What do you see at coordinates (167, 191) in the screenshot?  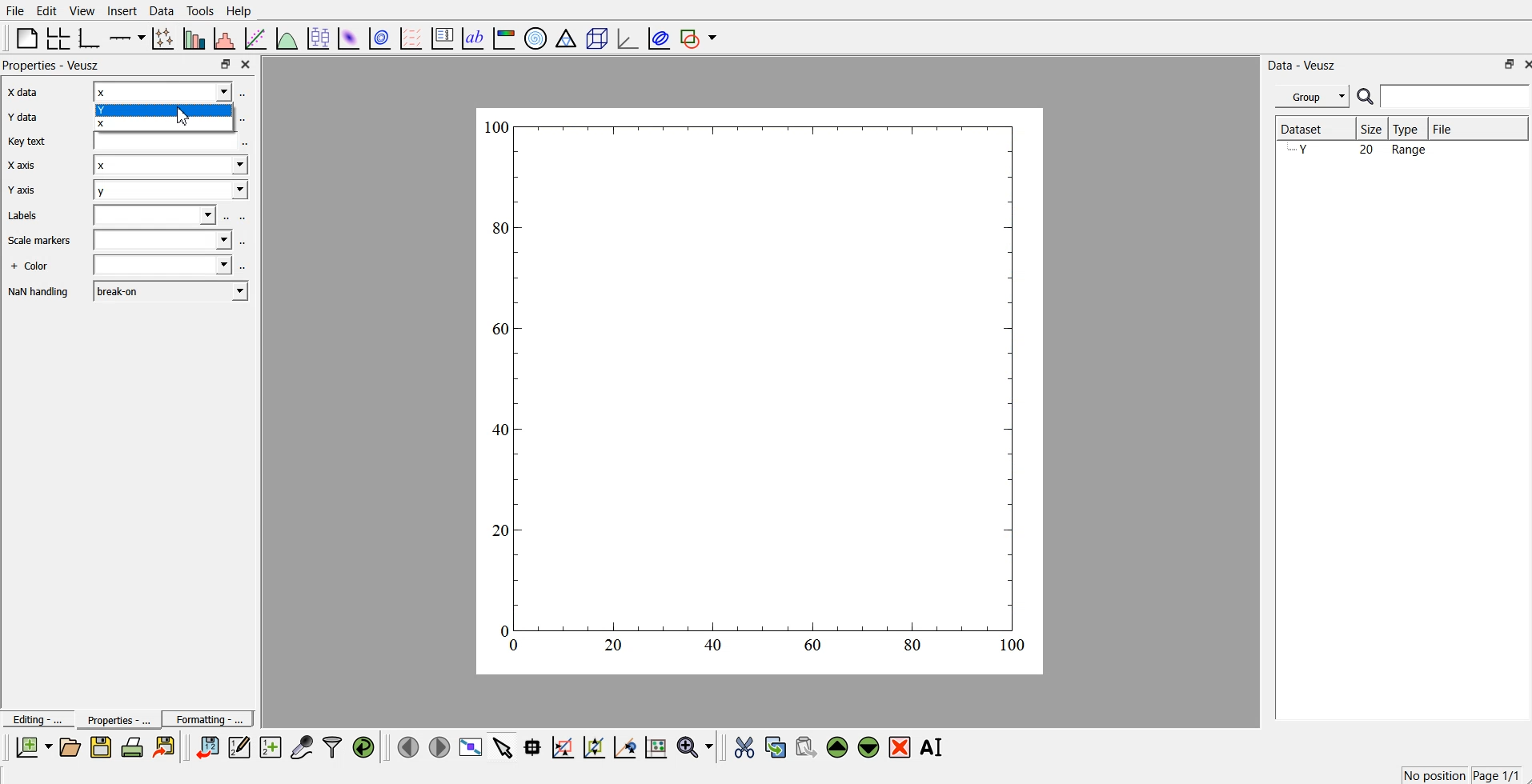 I see `y` at bounding box center [167, 191].